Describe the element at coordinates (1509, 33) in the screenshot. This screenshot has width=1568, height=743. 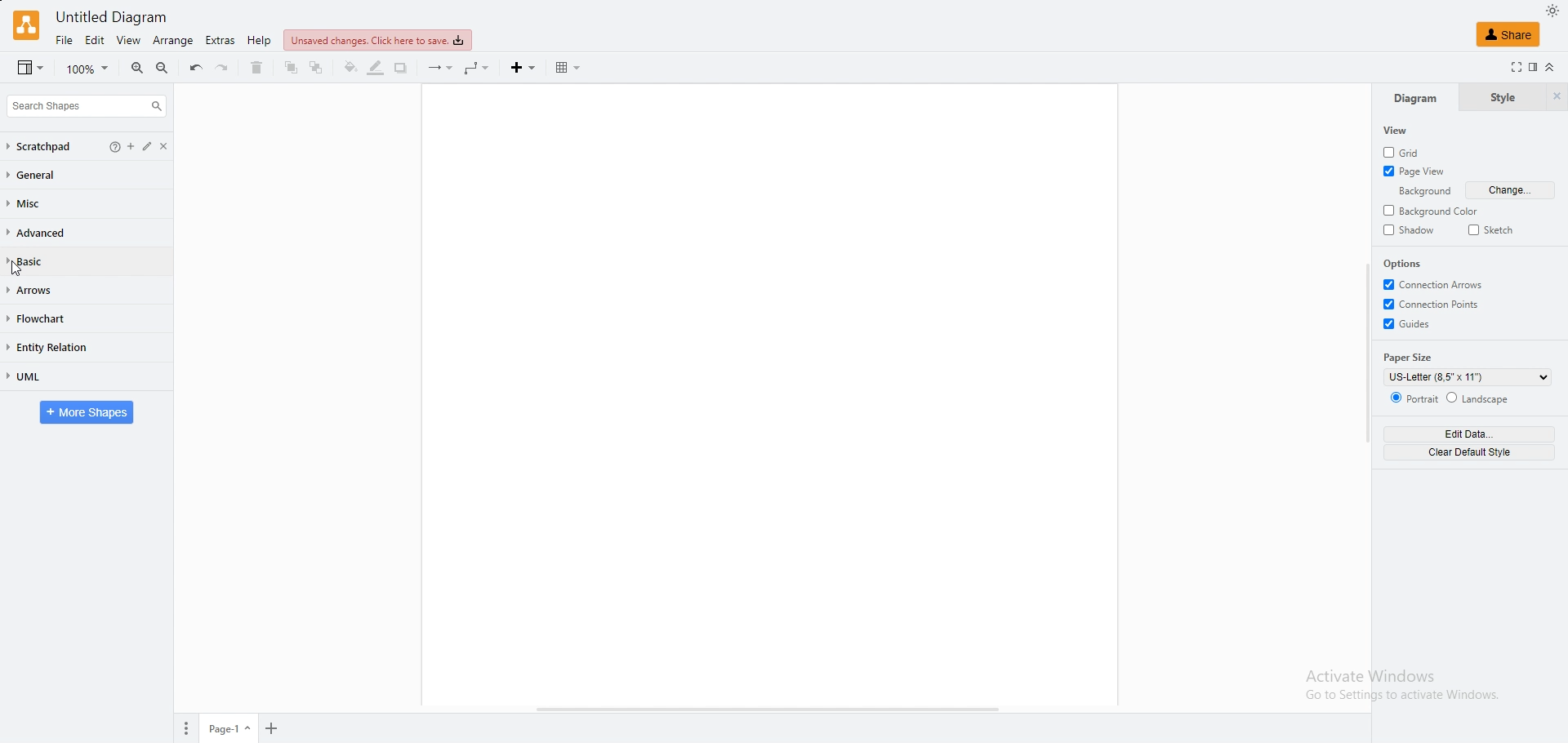
I see `SHARE` at that location.